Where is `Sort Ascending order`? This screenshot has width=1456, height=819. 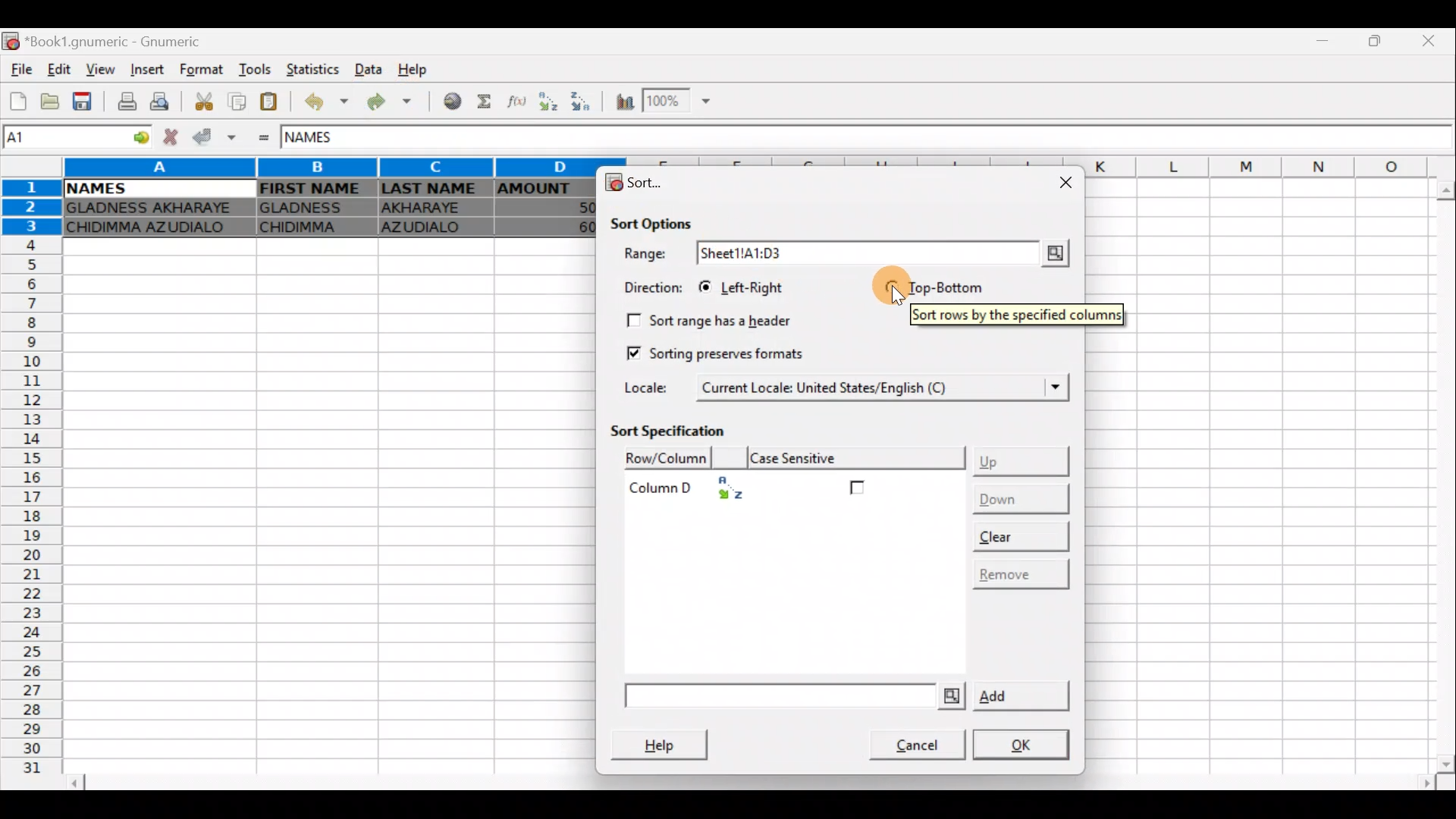
Sort Ascending order is located at coordinates (547, 102).